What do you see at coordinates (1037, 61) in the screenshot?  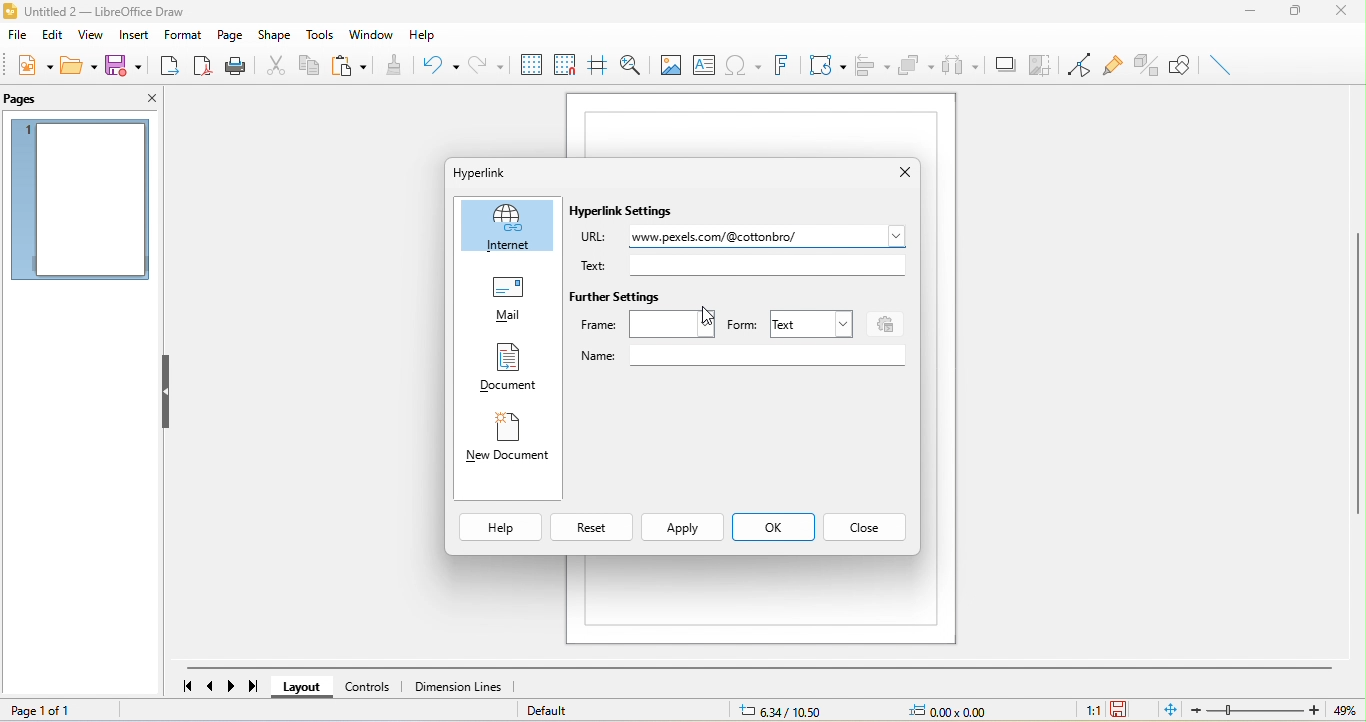 I see `crop image` at bounding box center [1037, 61].